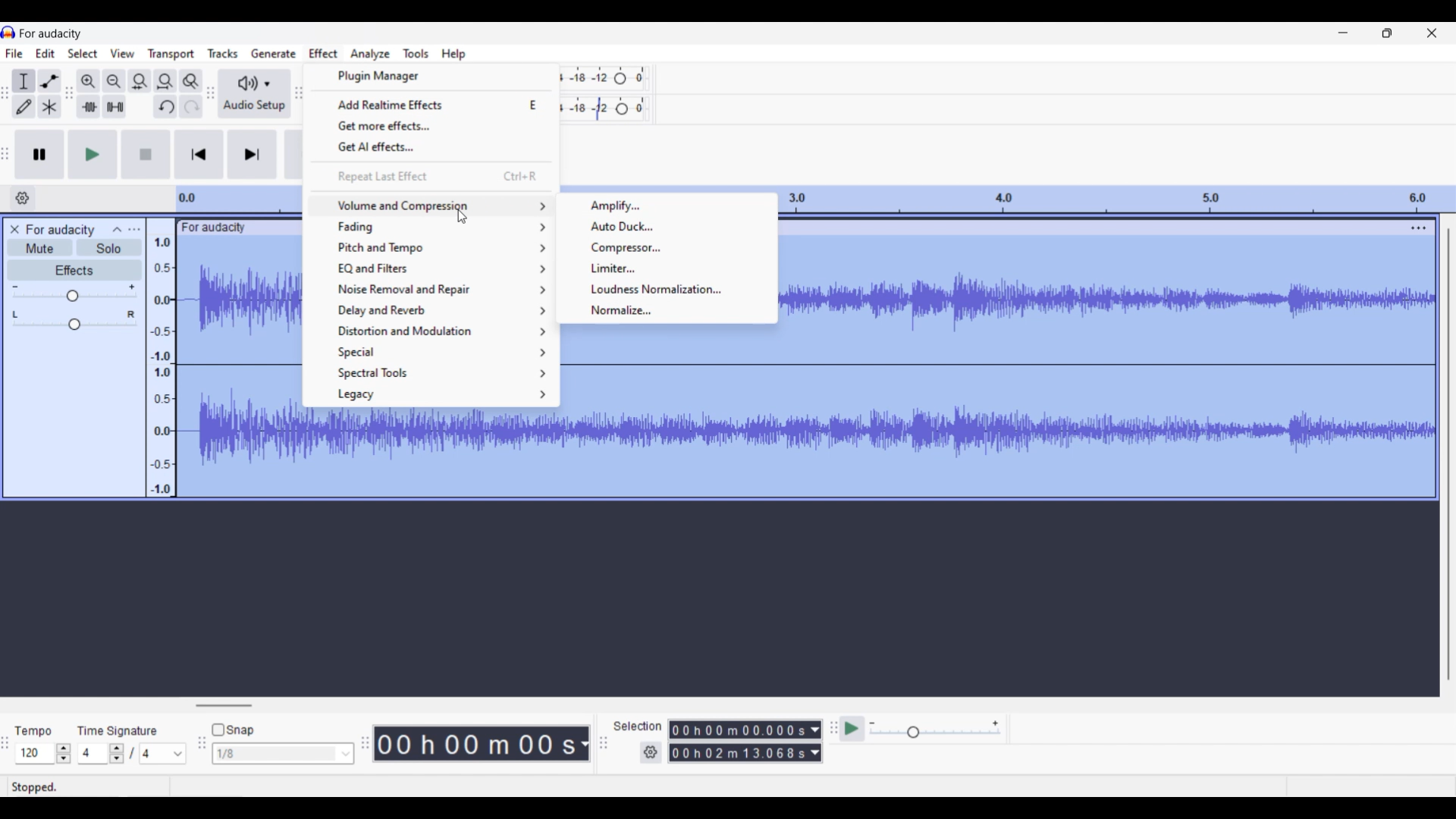 The width and height of the screenshot is (1456, 819). I want to click on Recording level, so click(605, 78).